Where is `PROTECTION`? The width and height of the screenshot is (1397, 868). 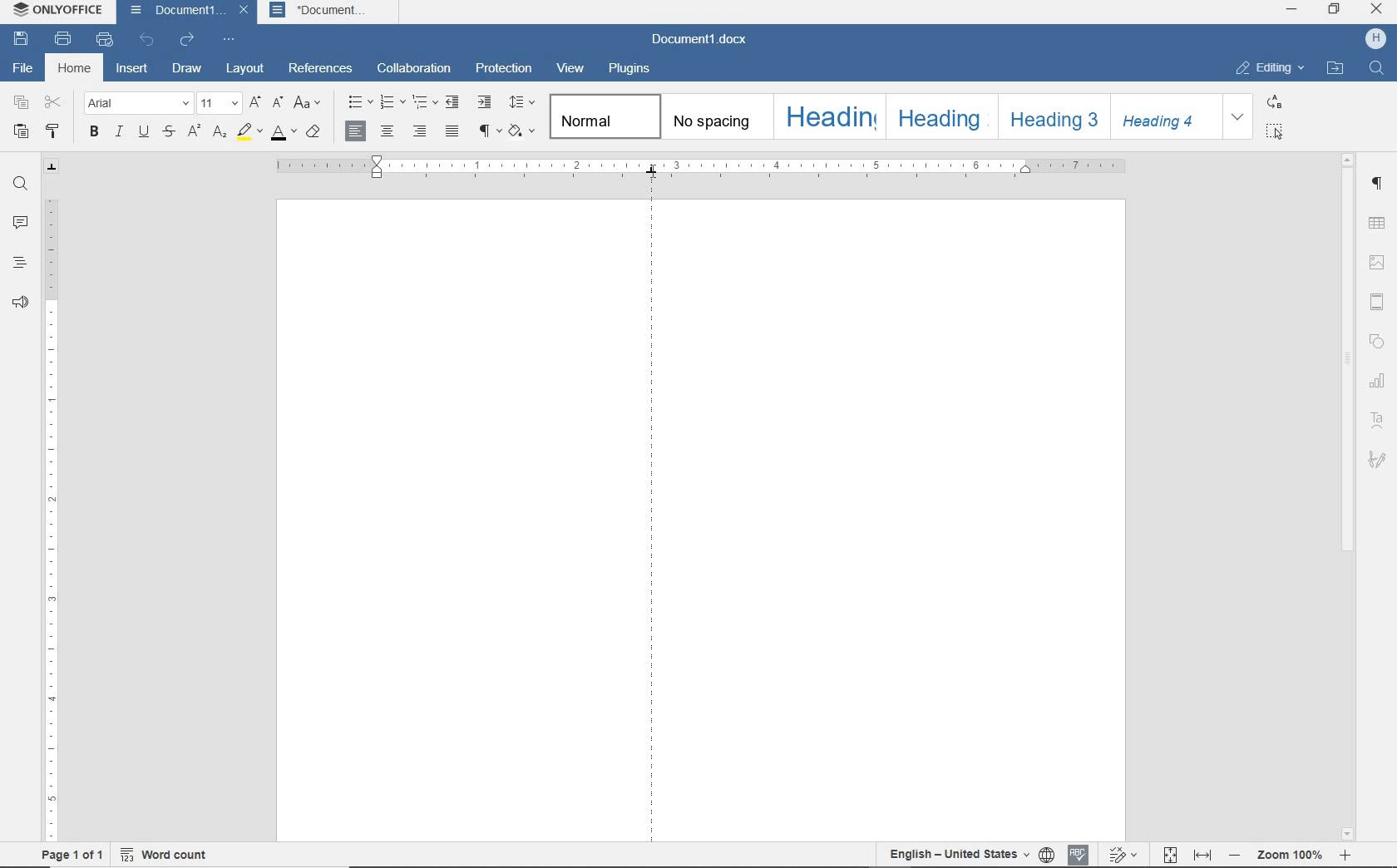
PROTECTION is located at coordinates (504, 68).